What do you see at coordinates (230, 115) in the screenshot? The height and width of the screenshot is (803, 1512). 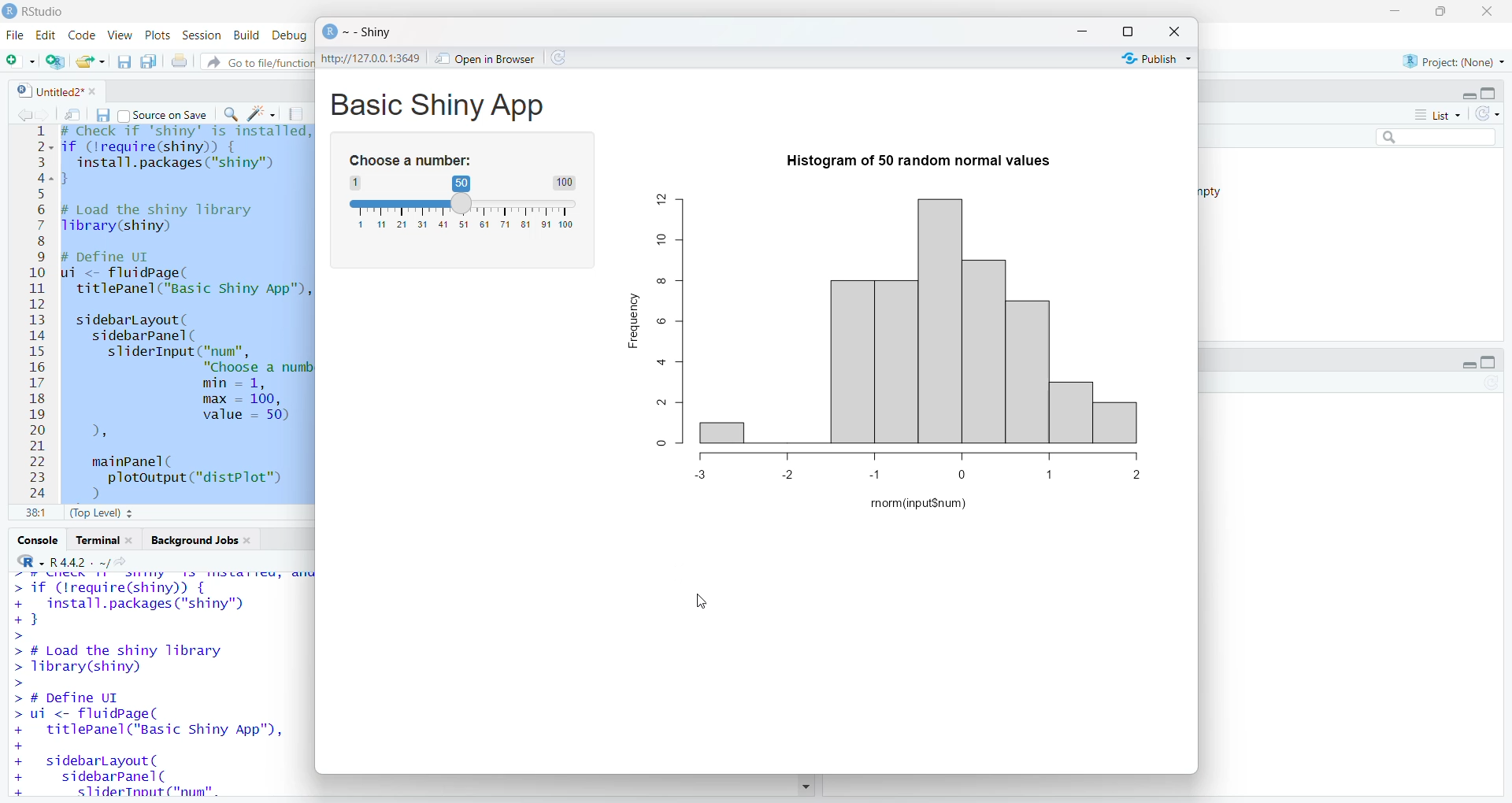 I see `search` at bounding box center [230, 115].